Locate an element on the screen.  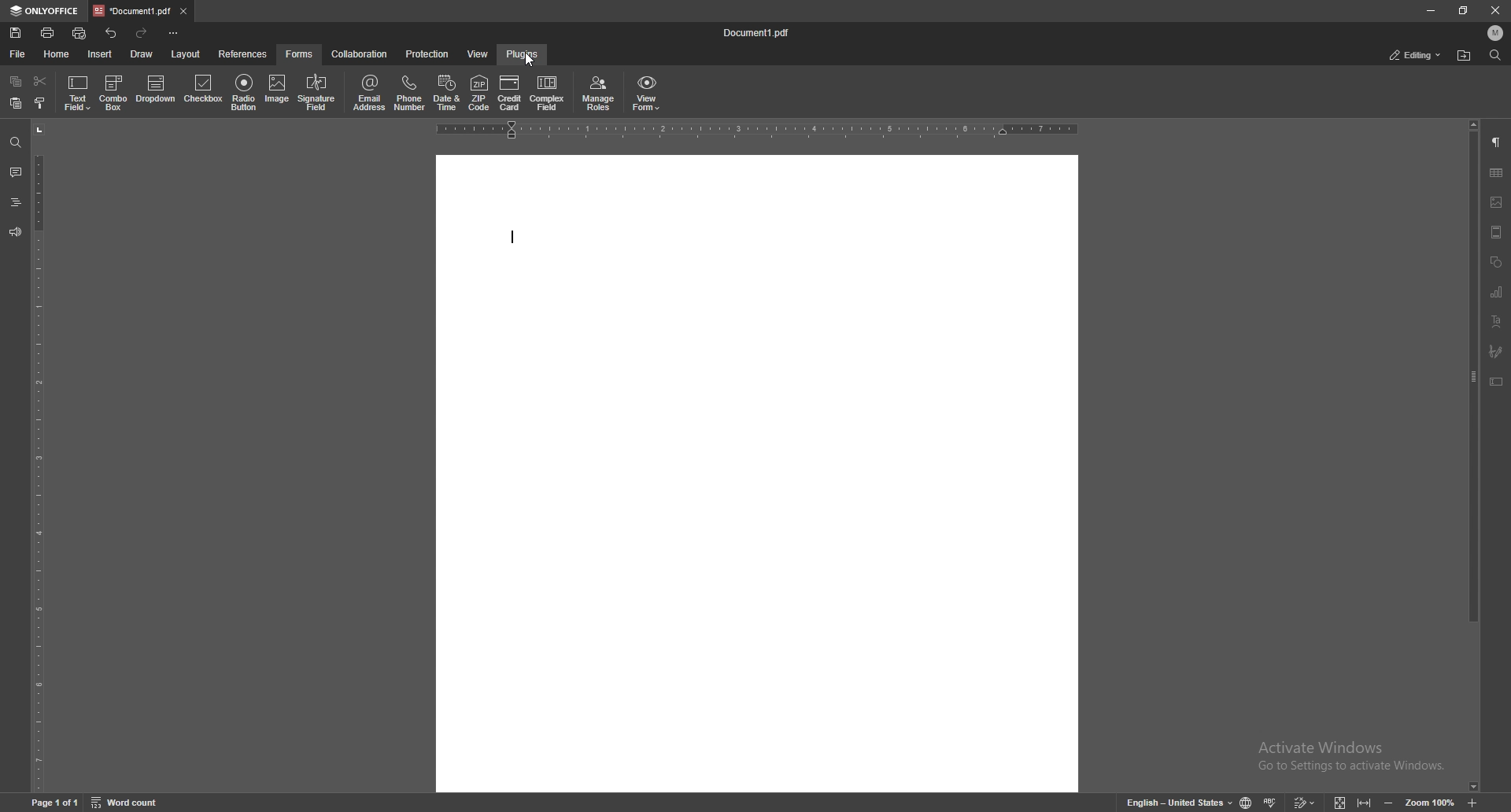
comment is located at coordinates (15, 172).